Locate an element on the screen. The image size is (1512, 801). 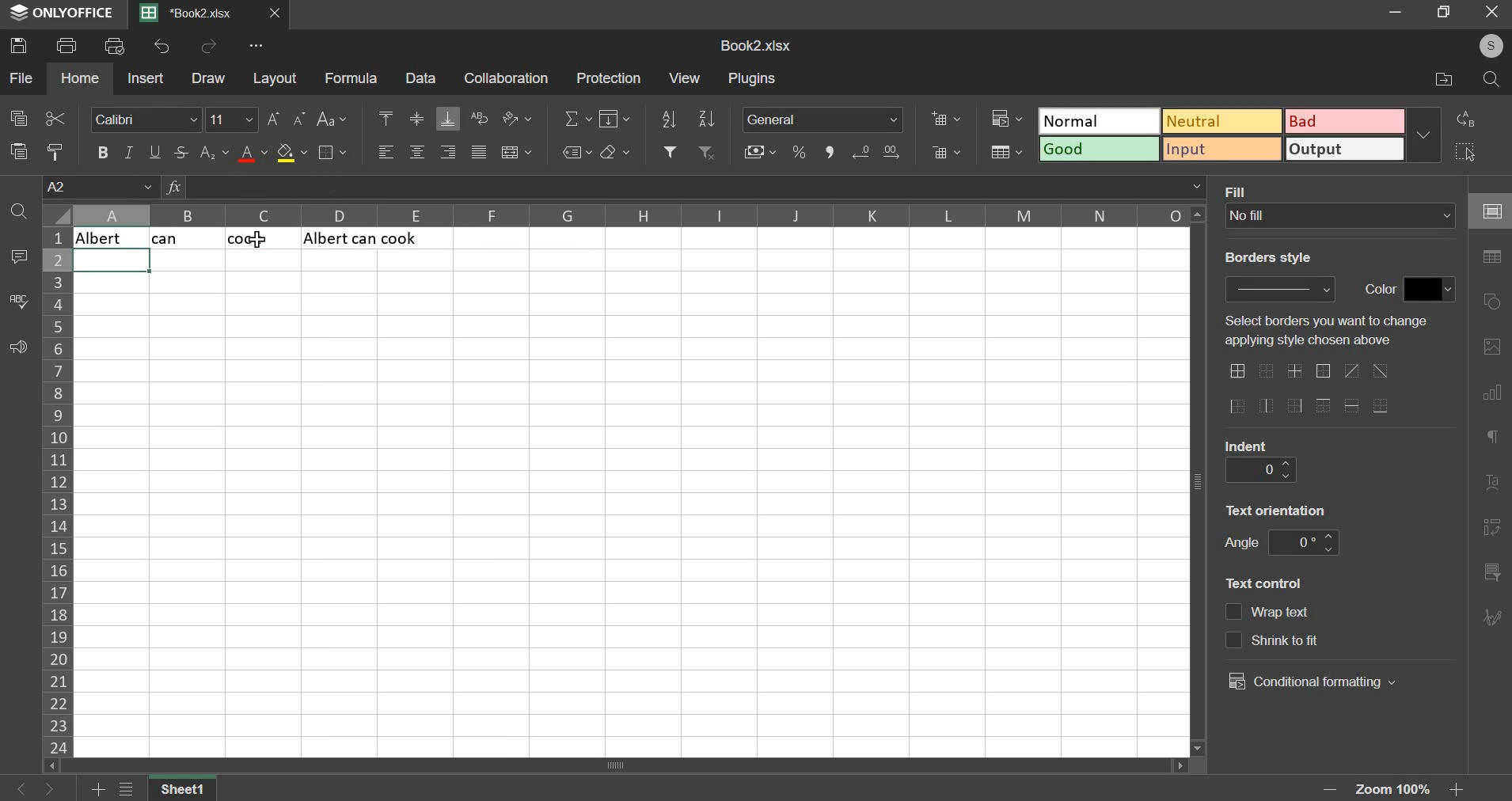
sort descending is located at coordinates (706, 118).